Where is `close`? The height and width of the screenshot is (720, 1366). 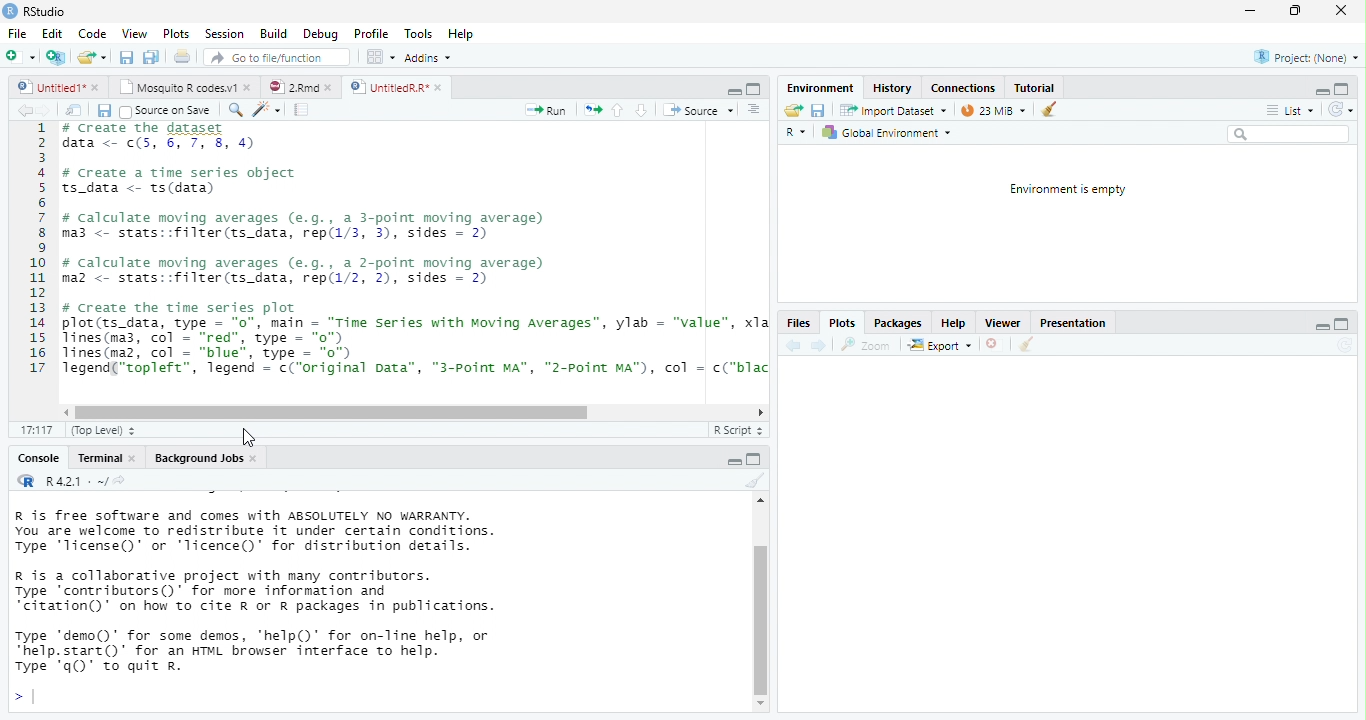
close is located at coordinates (332, 88).